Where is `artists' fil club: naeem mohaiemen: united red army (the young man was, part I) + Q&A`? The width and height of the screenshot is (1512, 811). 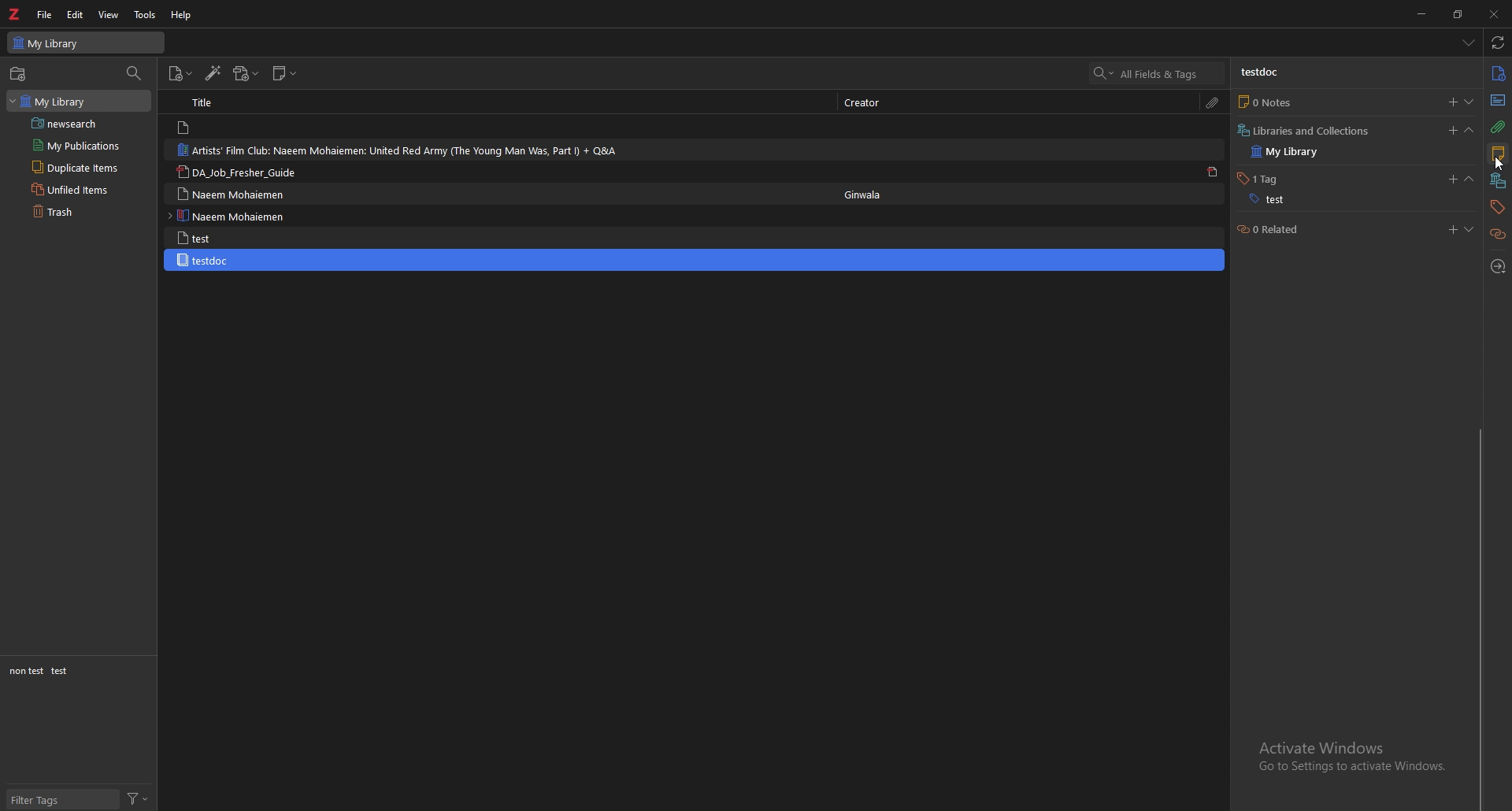 artists' fil club: naeem mohaiemen: united red army (the young man was, part I) + Q&A is located at coordinates (397, 151).